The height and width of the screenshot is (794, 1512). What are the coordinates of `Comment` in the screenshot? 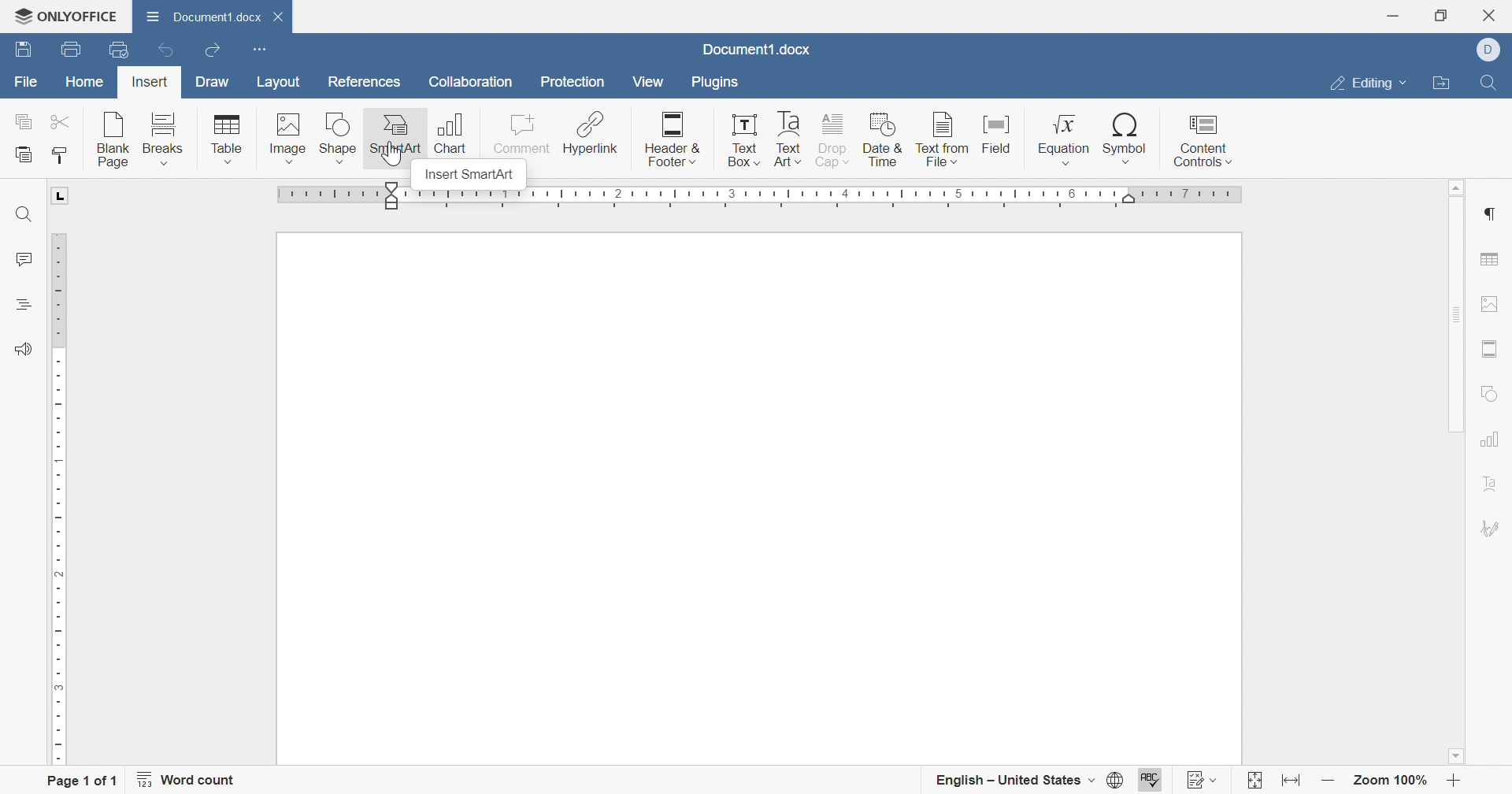 It's located at (517, 135).